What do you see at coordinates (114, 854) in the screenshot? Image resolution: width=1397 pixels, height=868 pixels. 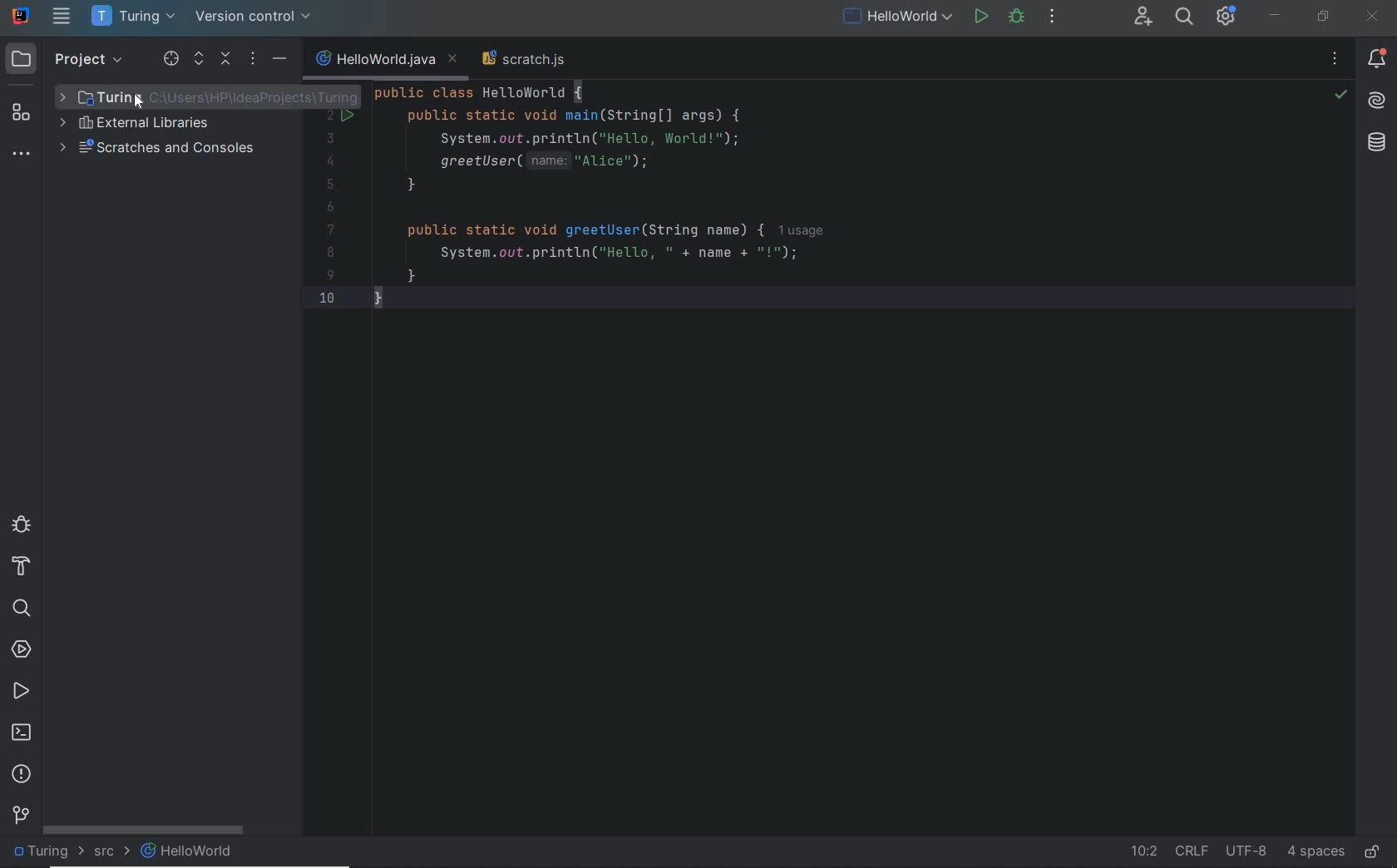 I see `SRC` at bounding box center [114, 854].